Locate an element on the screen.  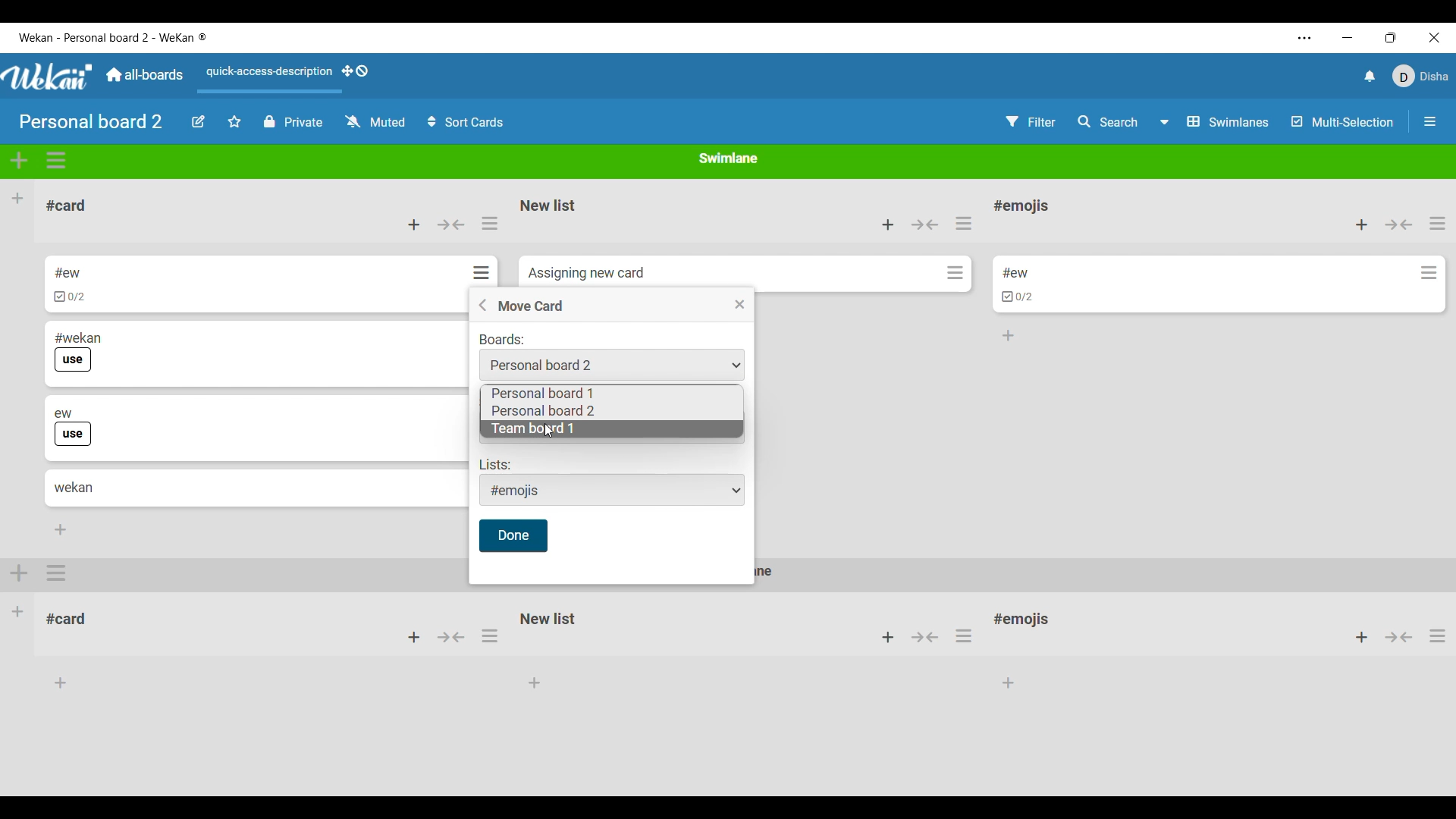
Close menu is located at coordinates (740, 304).